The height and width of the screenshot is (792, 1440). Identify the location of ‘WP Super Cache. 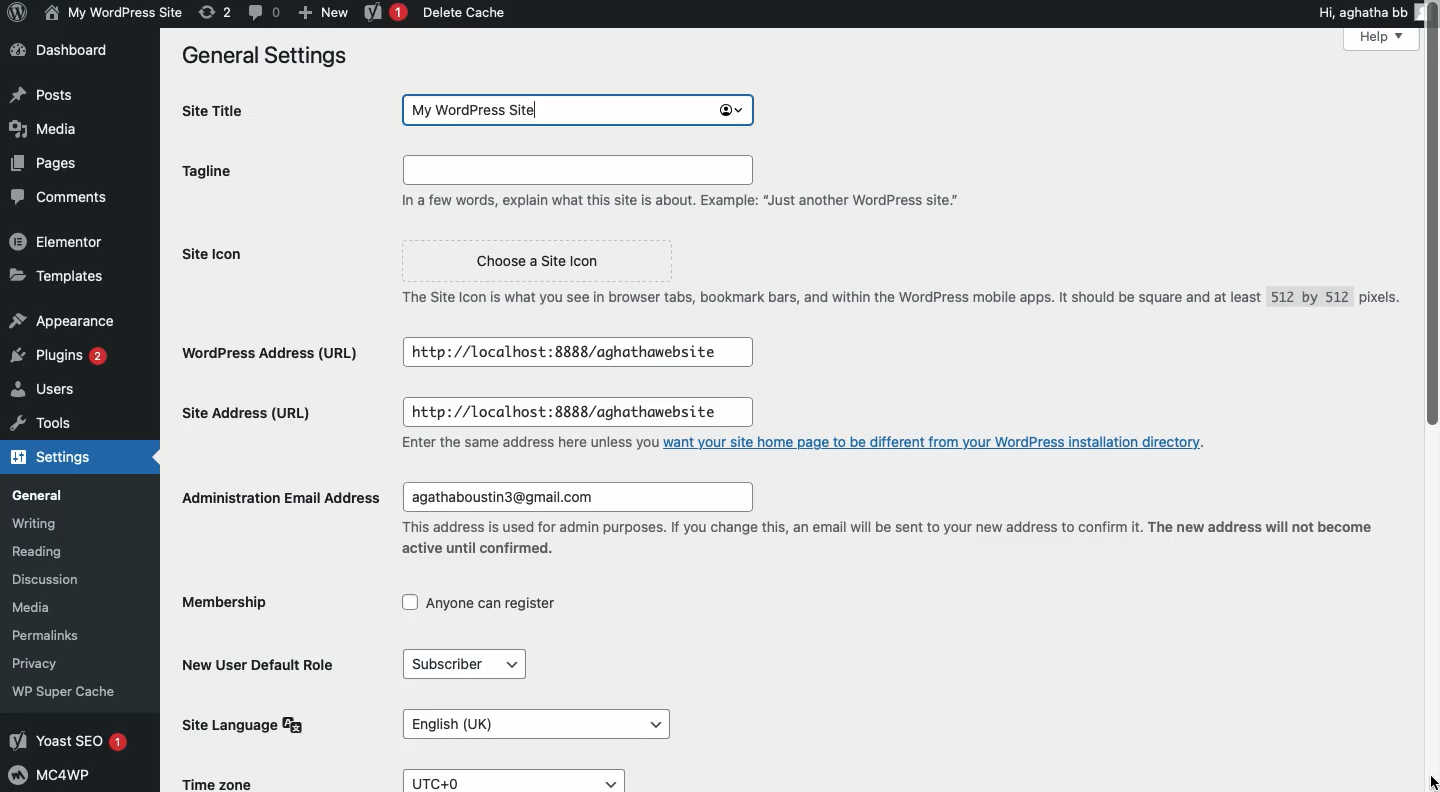
(65, 692).